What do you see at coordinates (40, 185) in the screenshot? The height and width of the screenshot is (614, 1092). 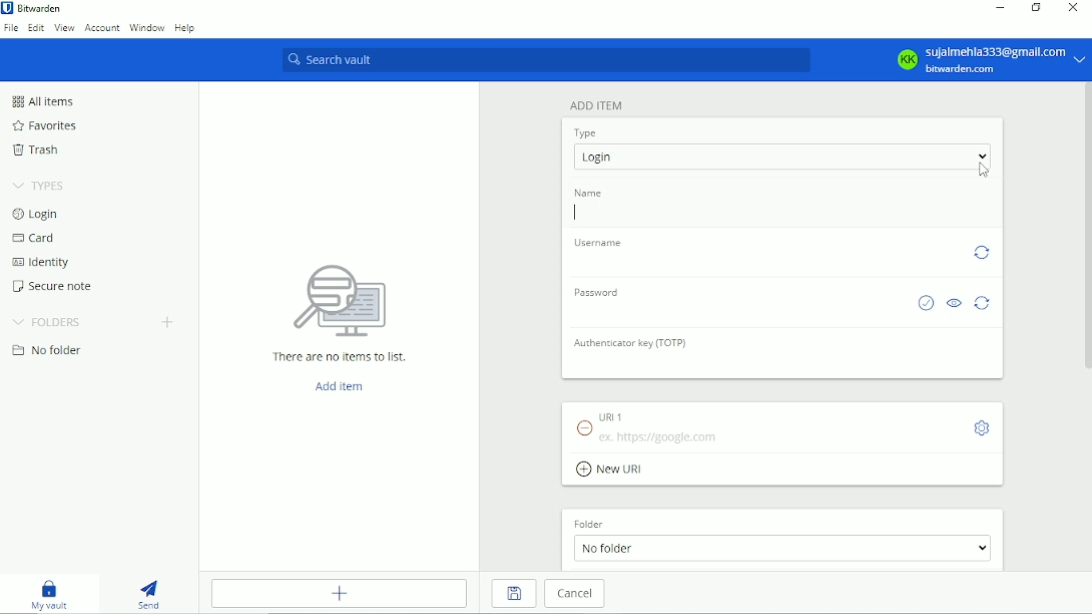 I see `Types` at bounding box center [40, 185].